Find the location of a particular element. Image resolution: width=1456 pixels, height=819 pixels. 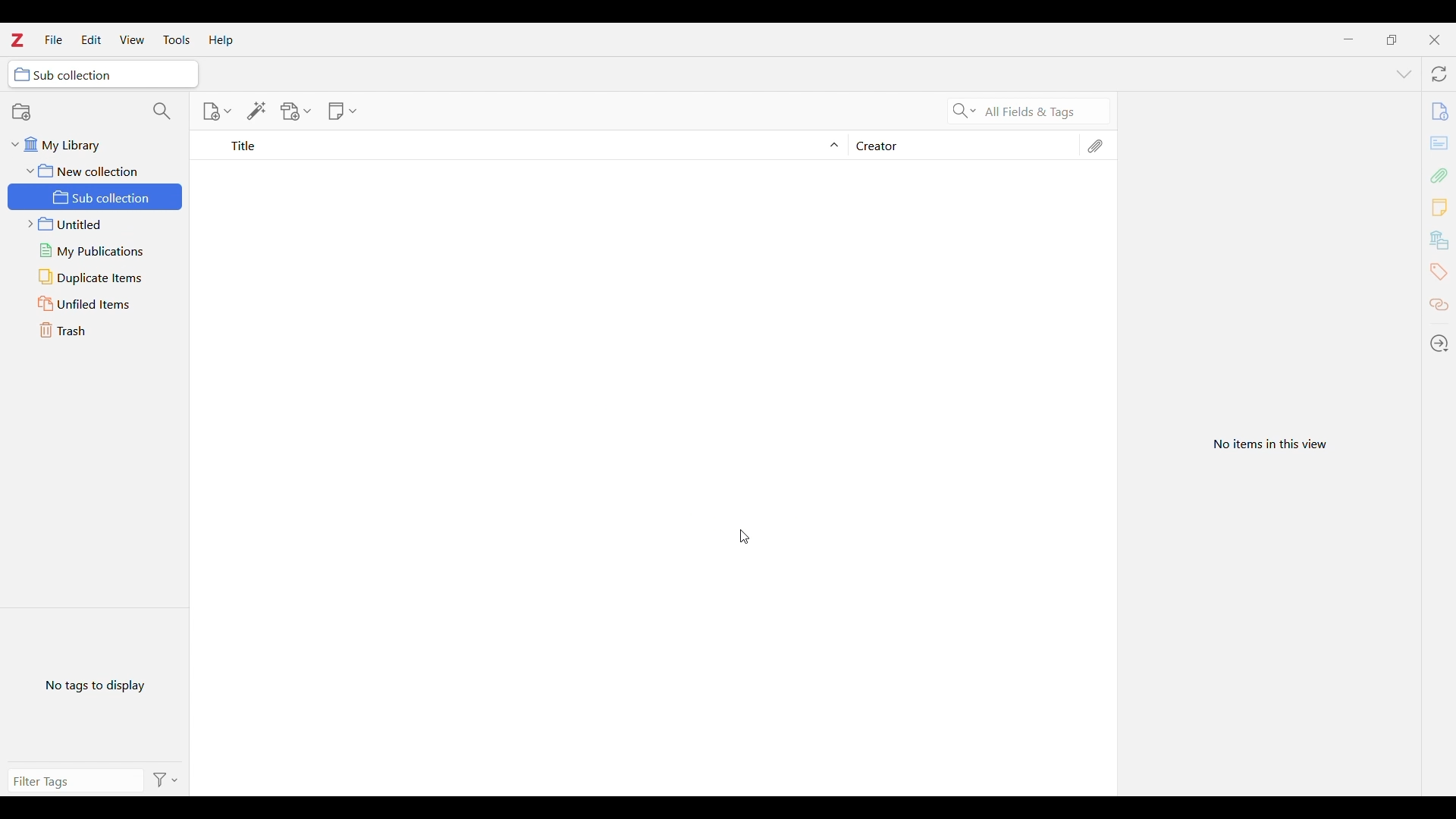

No tags to display  is located at coordinates (92, 686).